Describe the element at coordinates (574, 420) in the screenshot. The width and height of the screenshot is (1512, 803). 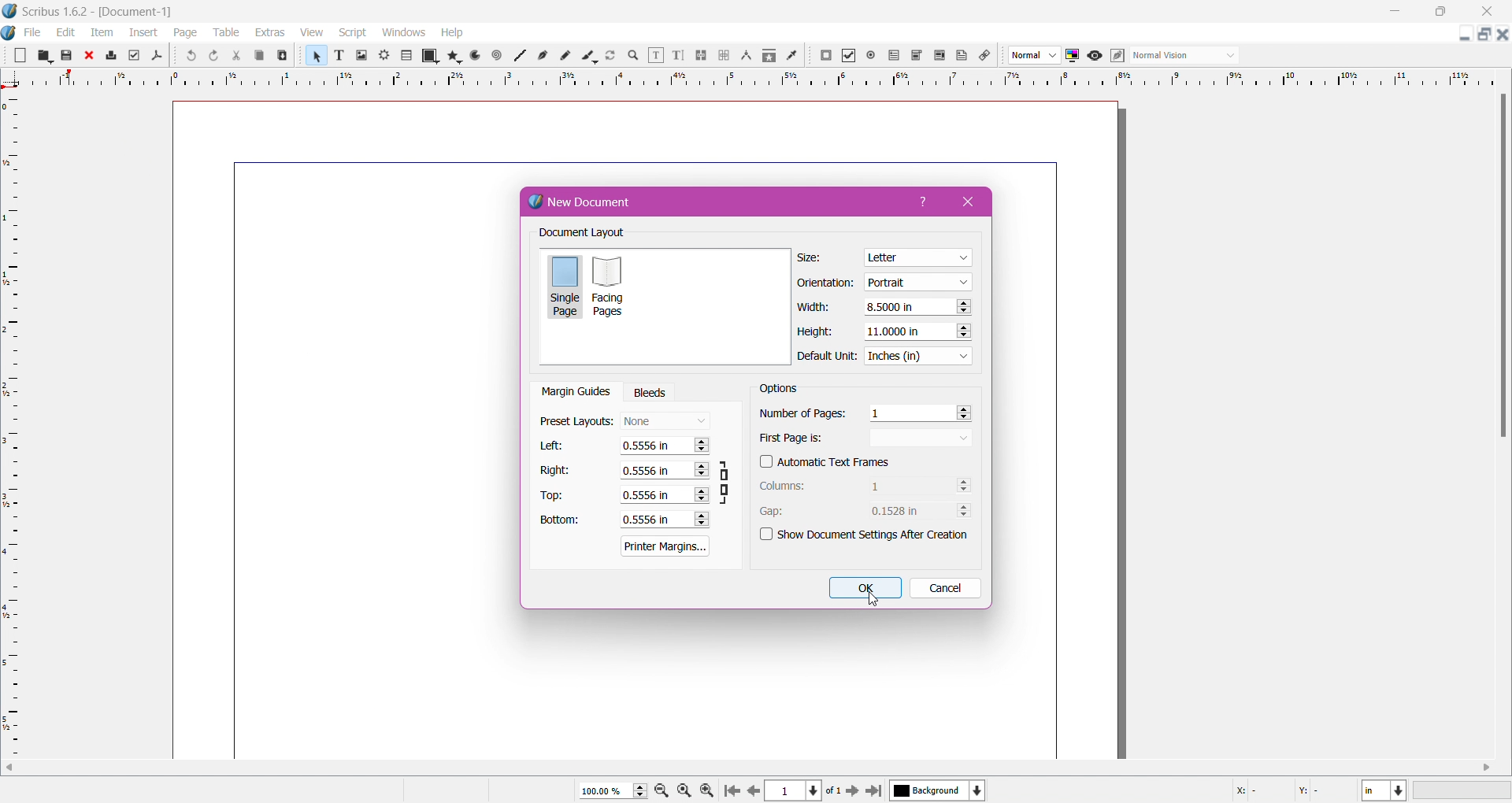
I see `preset layouts` at that location.